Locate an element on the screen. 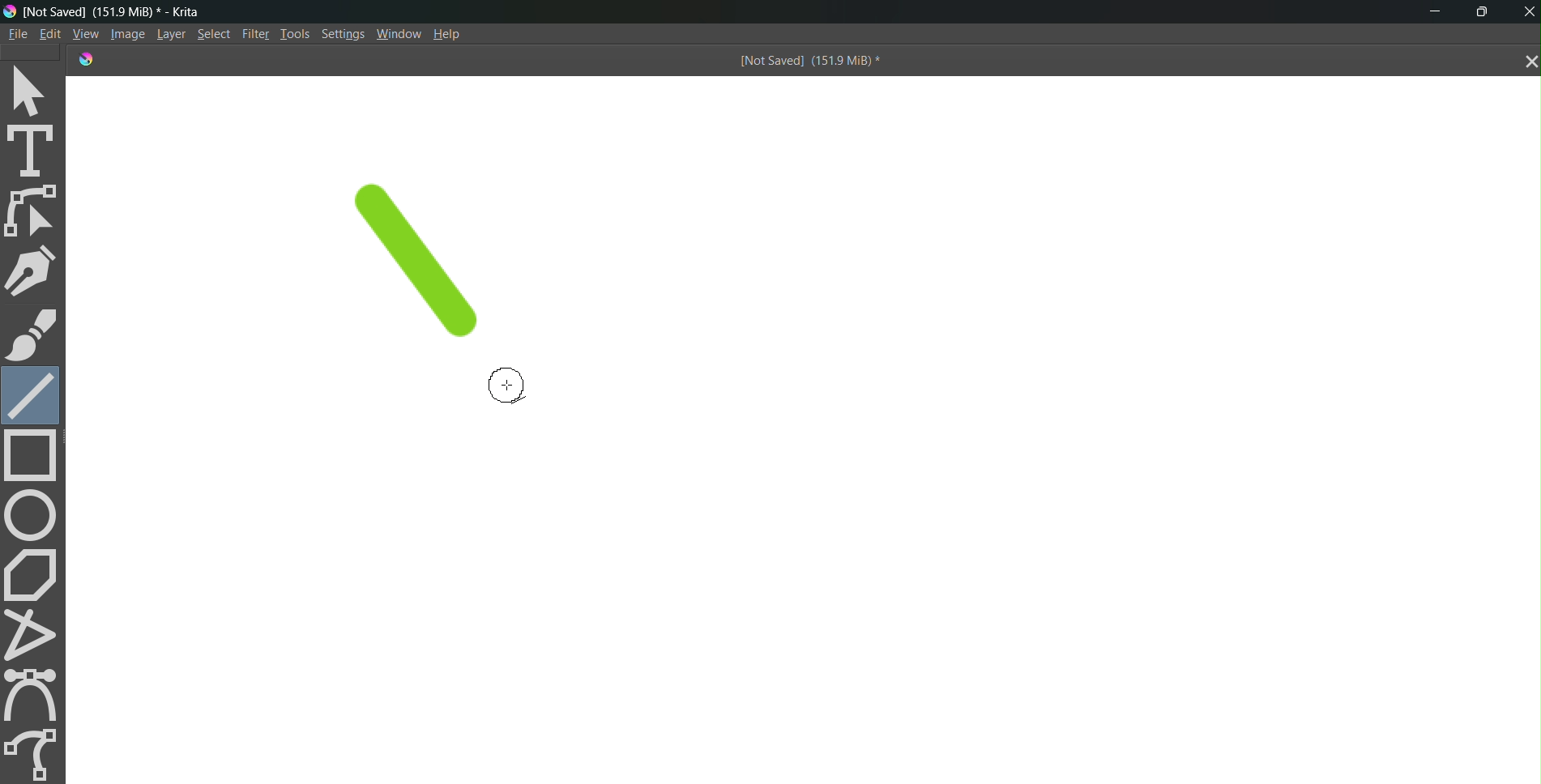 This screenshot has height=784, width=1541. select is located at coordinates (35, 89).